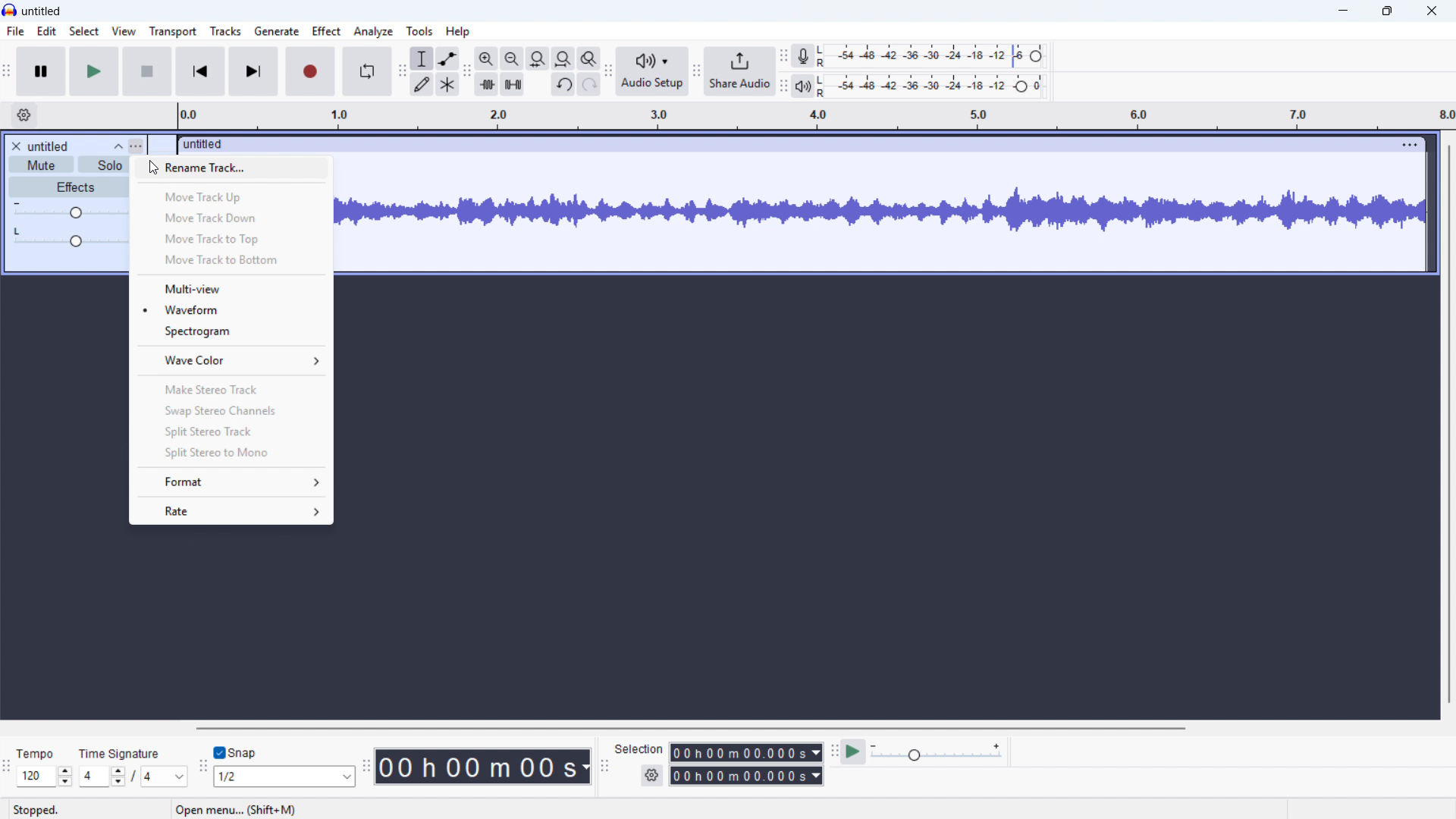 The image size is (1456, 819). What do you see at coordinates (231, 431) in the screenshot?
I see `Split stereo track ` at bounding box center [231, 431].